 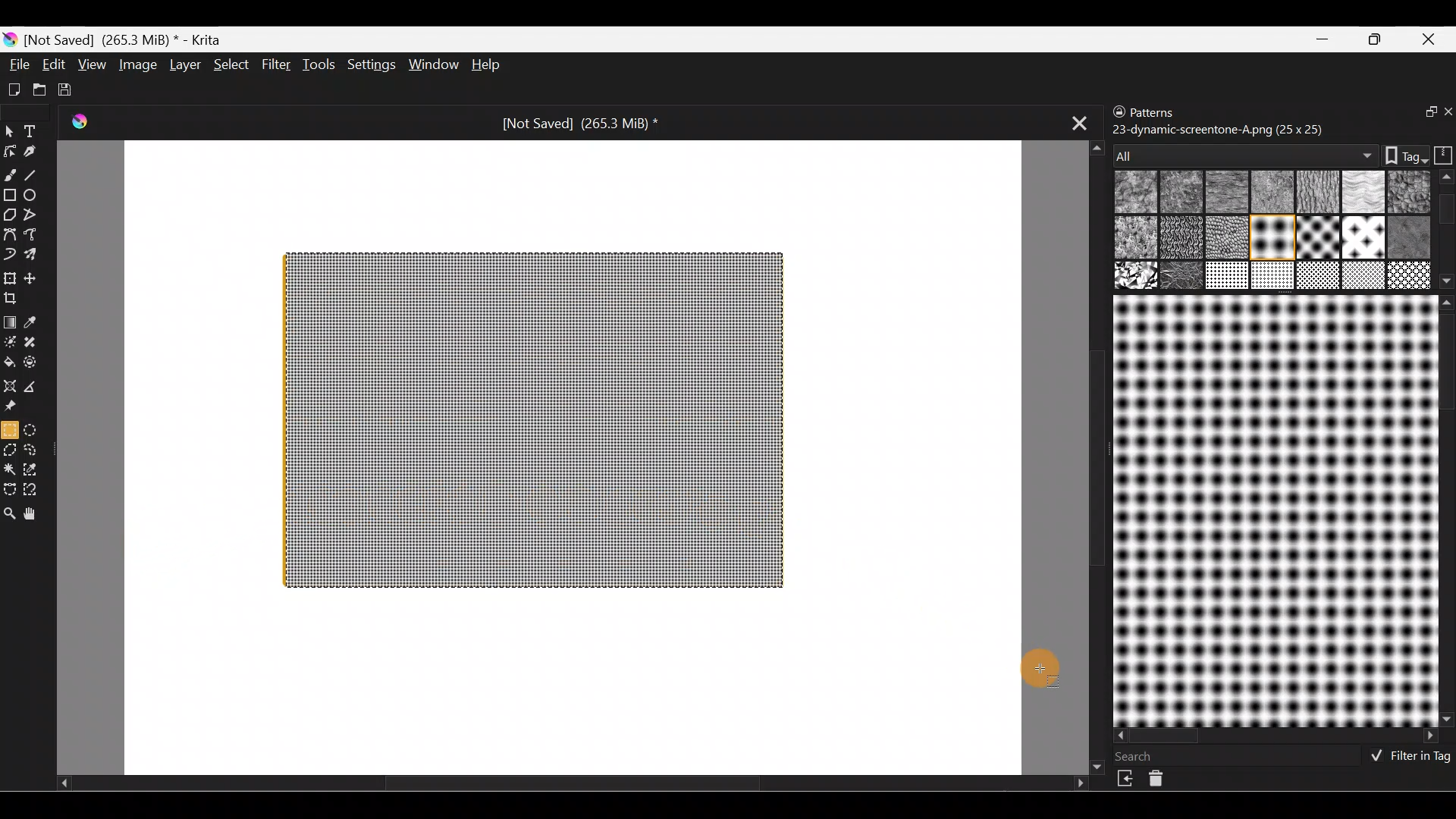 I want to click on 11 drawed_furry.png, so click(x=1314, y=240).